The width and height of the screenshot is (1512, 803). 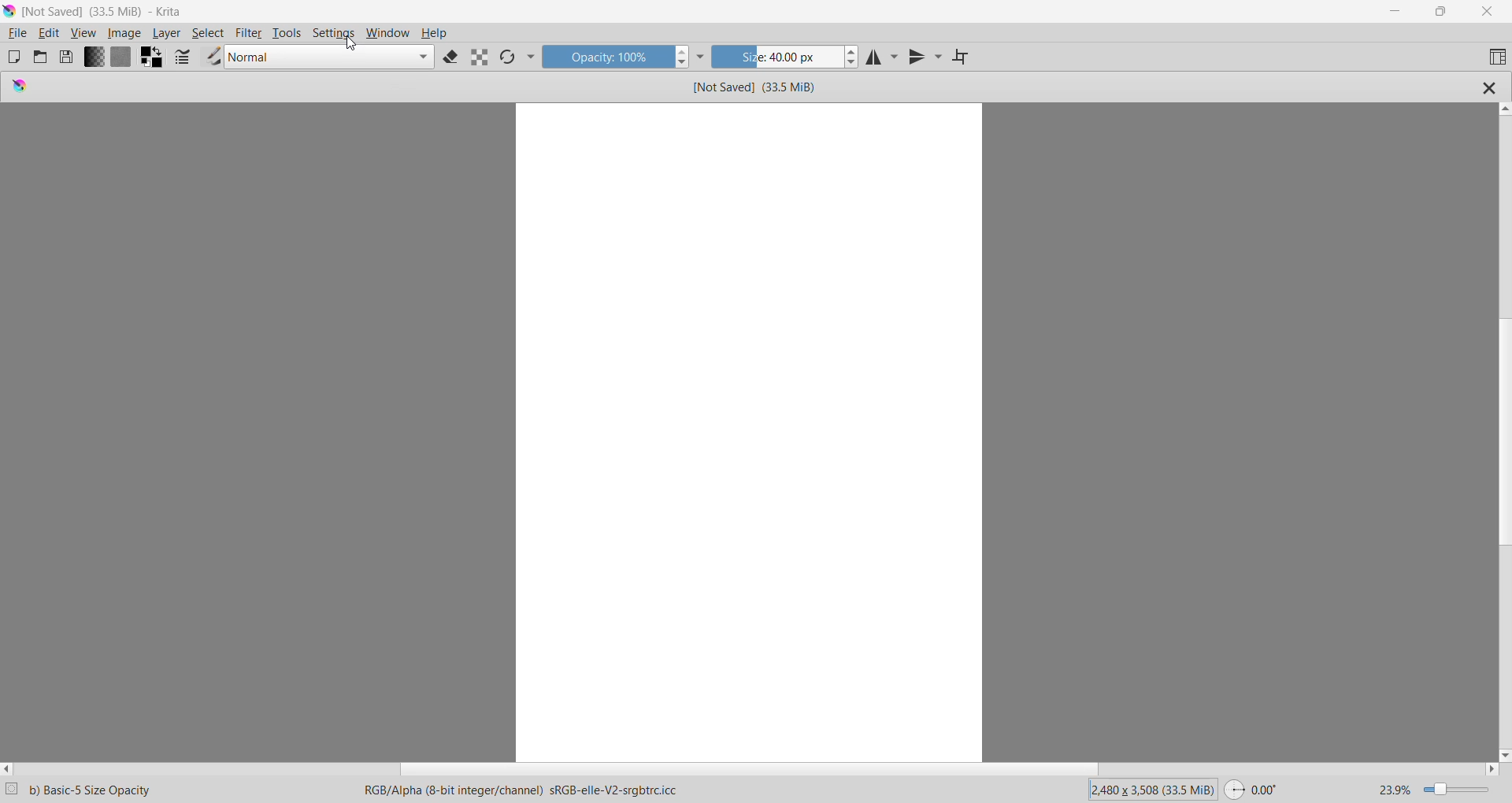 I want to click on Tools, so click(x=287, y=33).